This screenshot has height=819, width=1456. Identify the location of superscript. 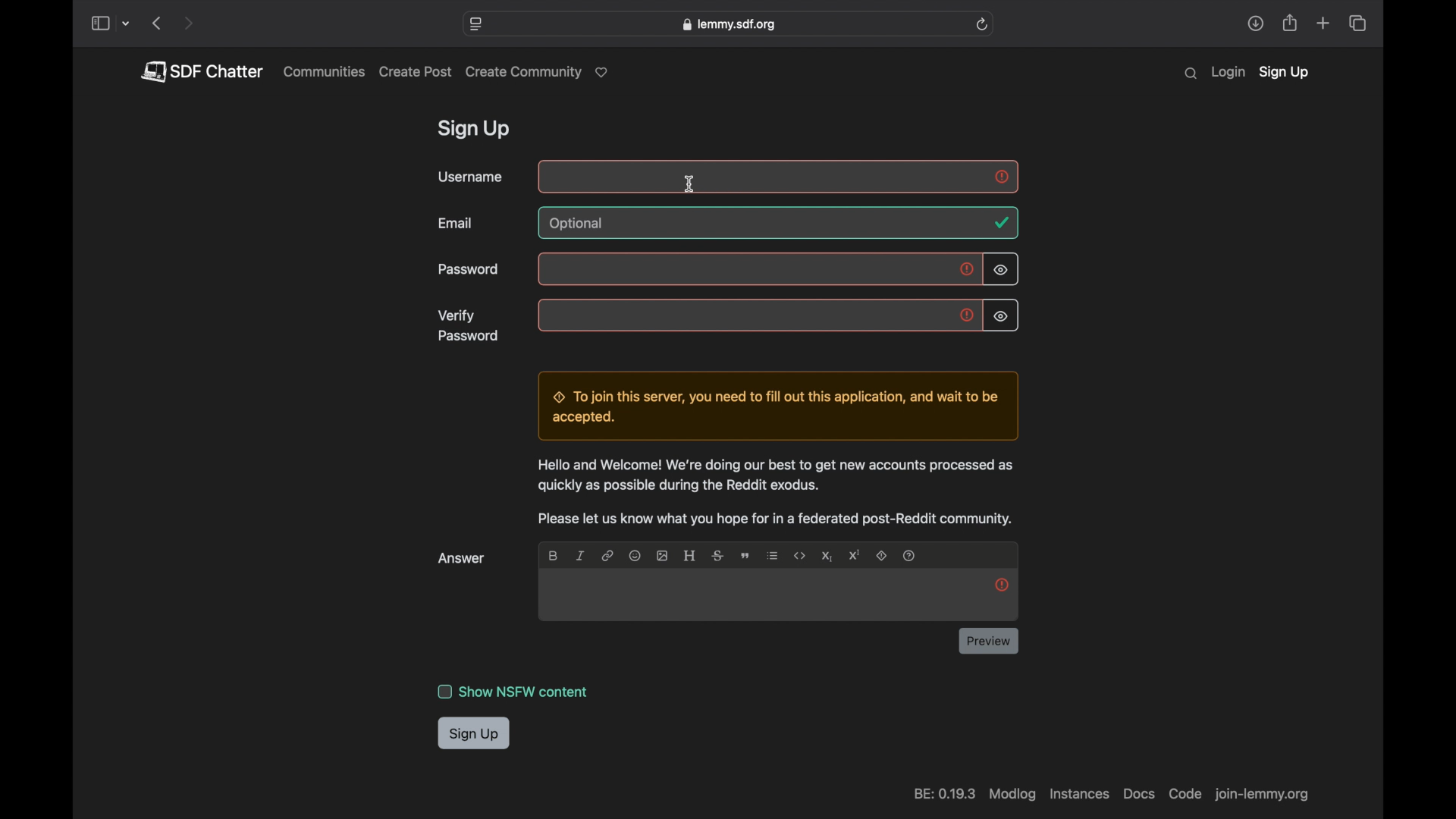
(855, 555).